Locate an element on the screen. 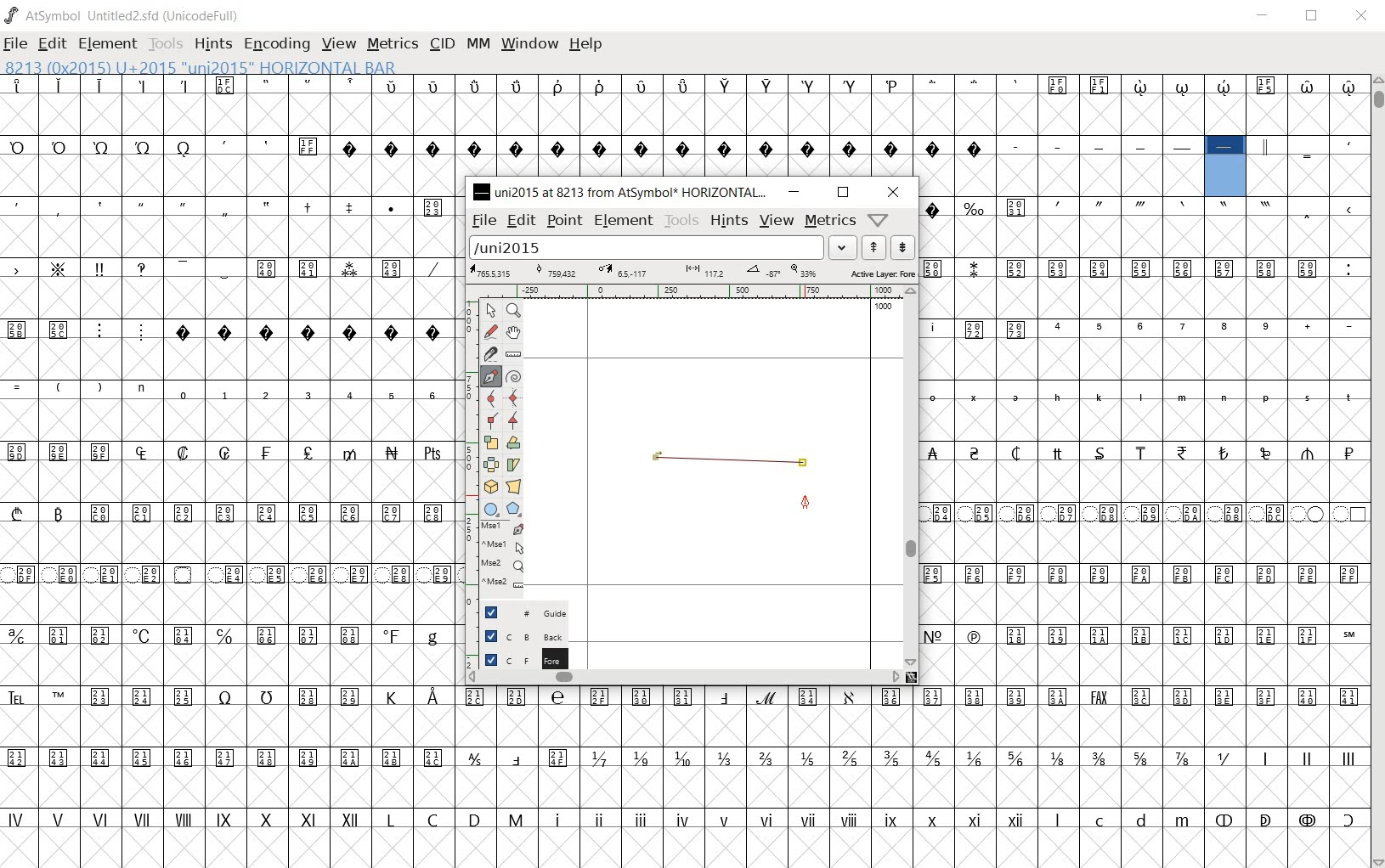 Image resolution: width=1385 pixels, height=868 pixels. CID is located at coordinates (442, 43).